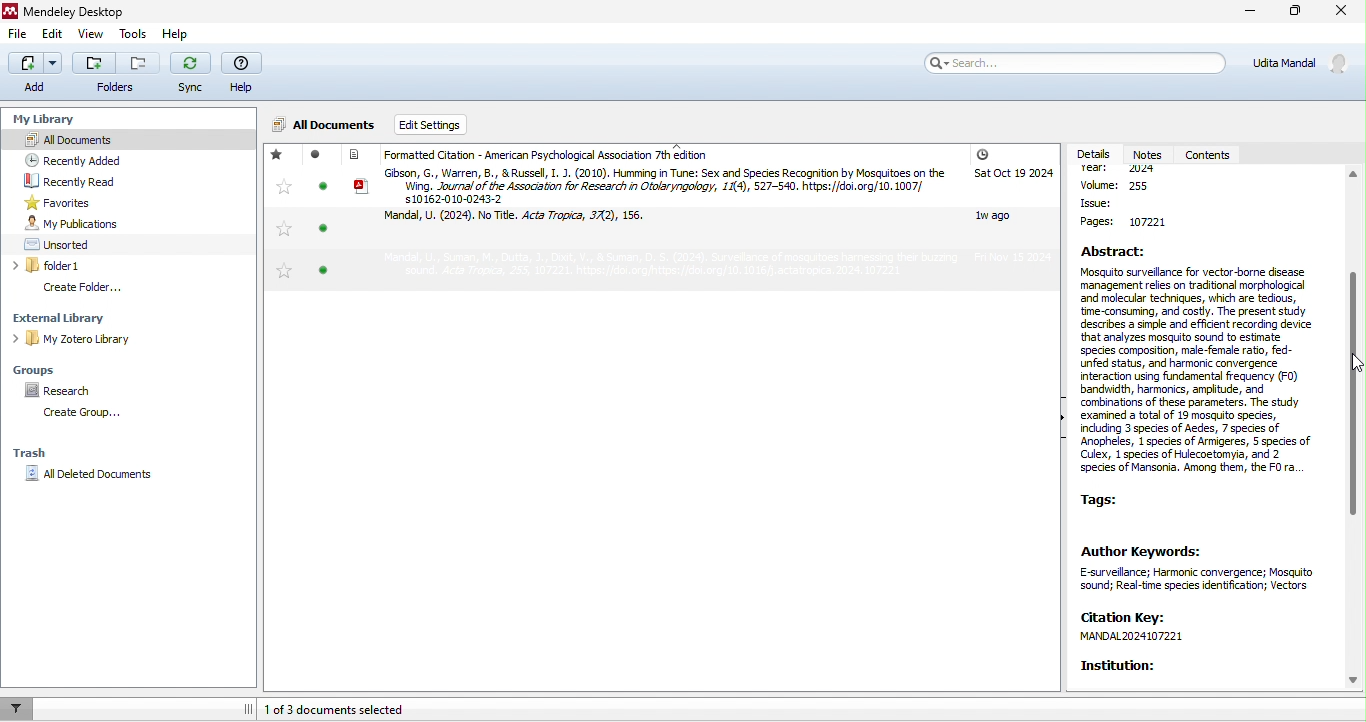  Describe the element at coordinates (242, 74) in the screenshot. I see `help` at that location.